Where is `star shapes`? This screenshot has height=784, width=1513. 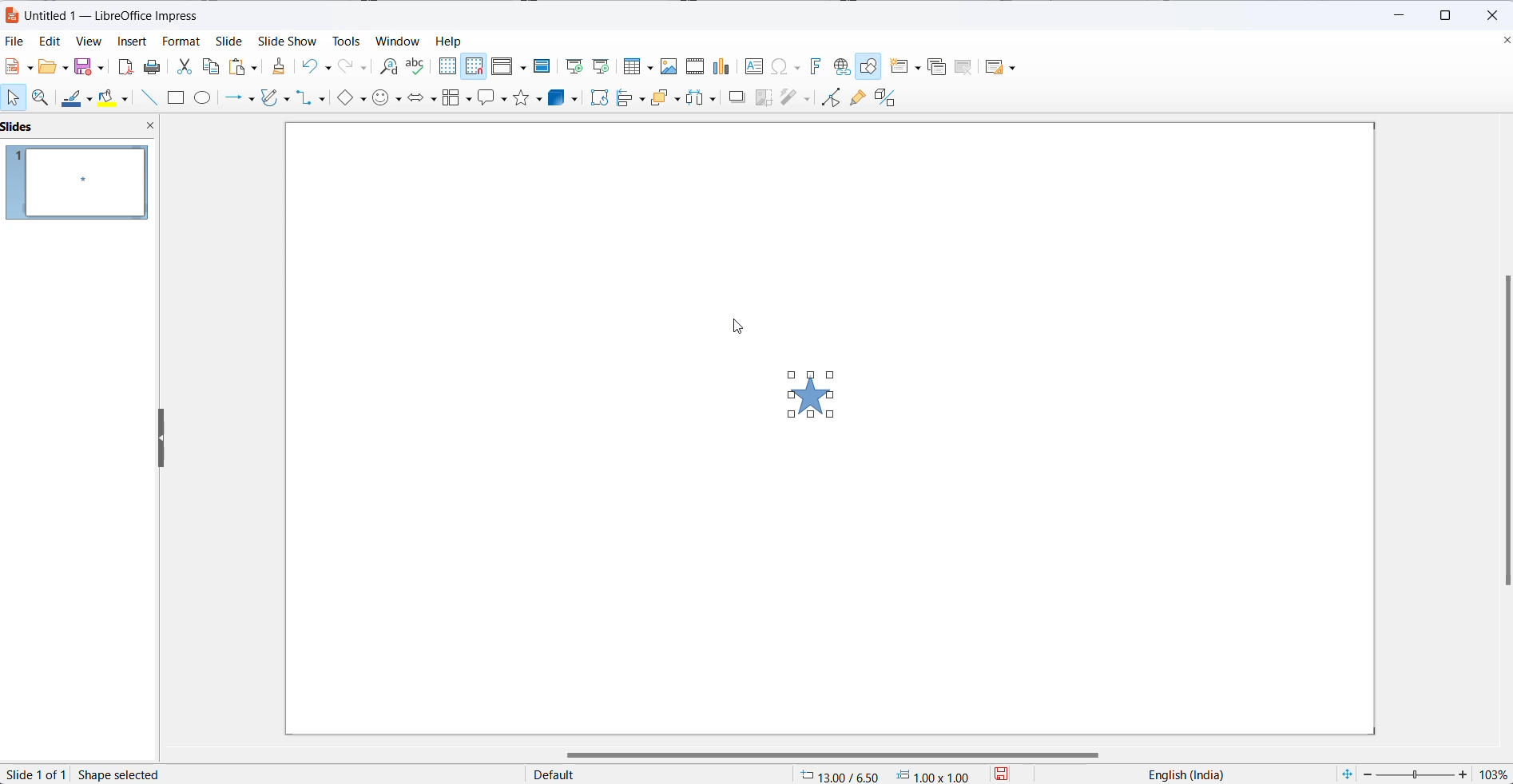 star shapes is located at coordinates (527, 101).